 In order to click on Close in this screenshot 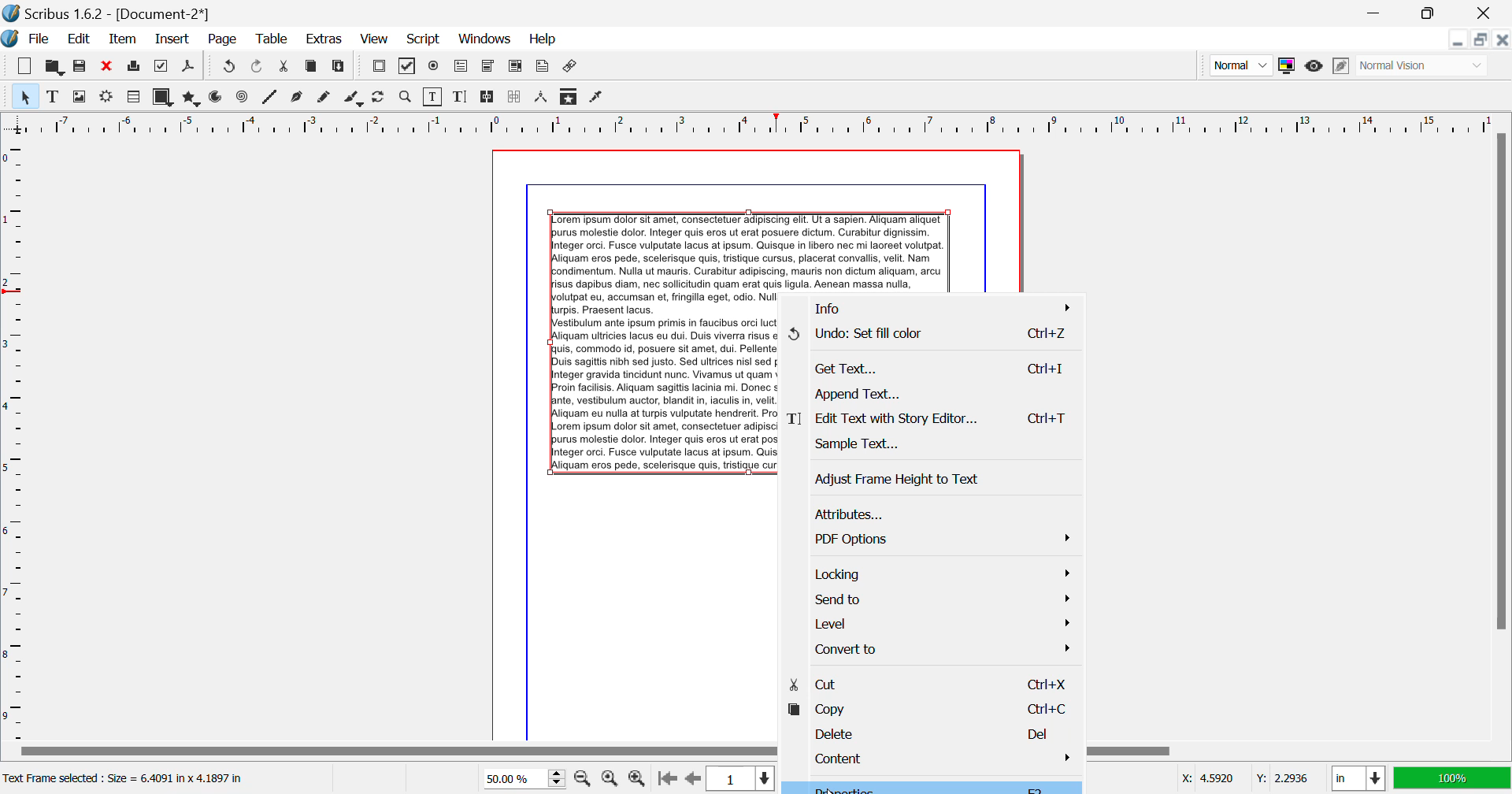, I will do `click(1503, 39)`.